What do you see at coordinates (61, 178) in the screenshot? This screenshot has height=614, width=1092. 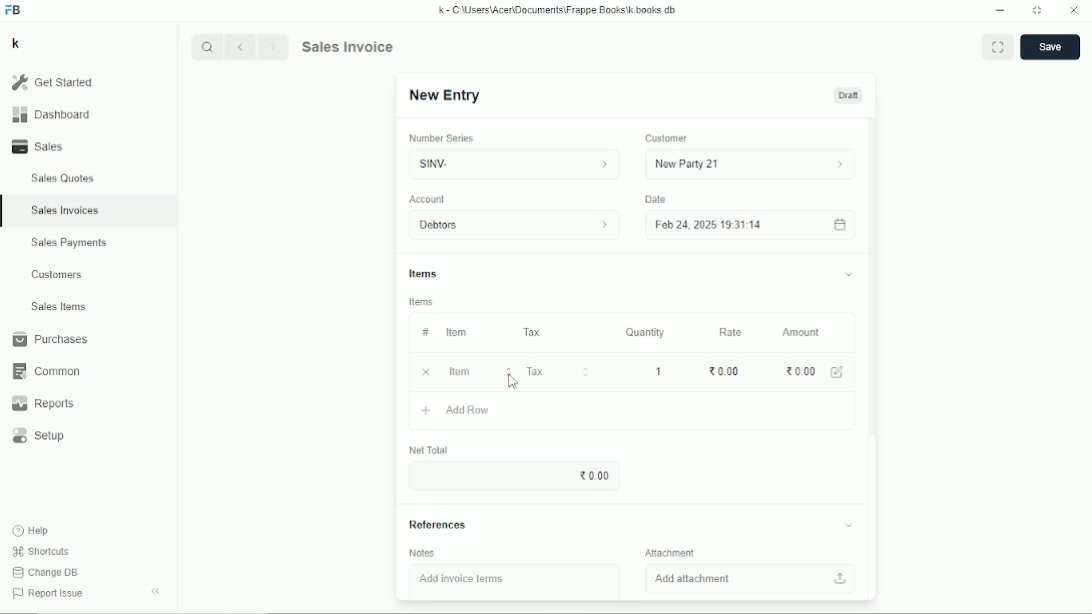 I see `Sales quotes` at bounding box center [61, 178].